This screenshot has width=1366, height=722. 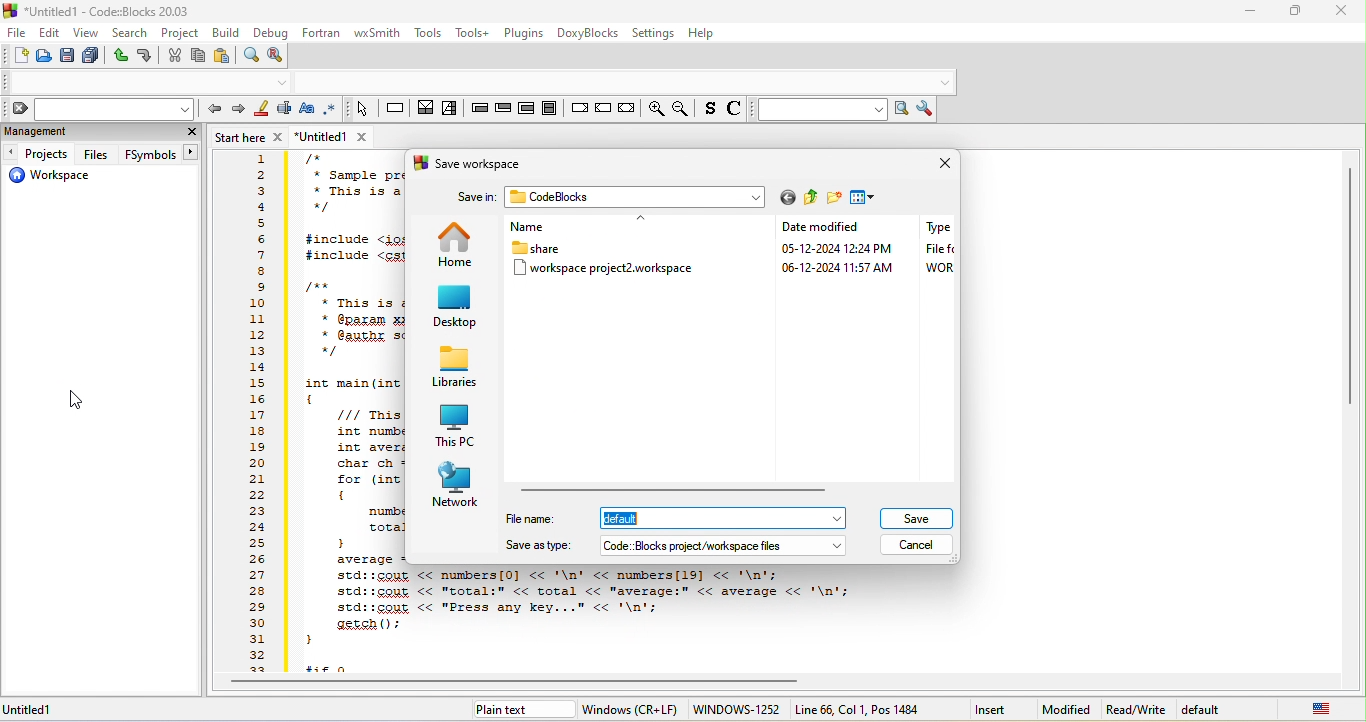 What do you see at coordinates (904, 110) in the screenshot?
I see `run search` at bounding box center [904, 110].